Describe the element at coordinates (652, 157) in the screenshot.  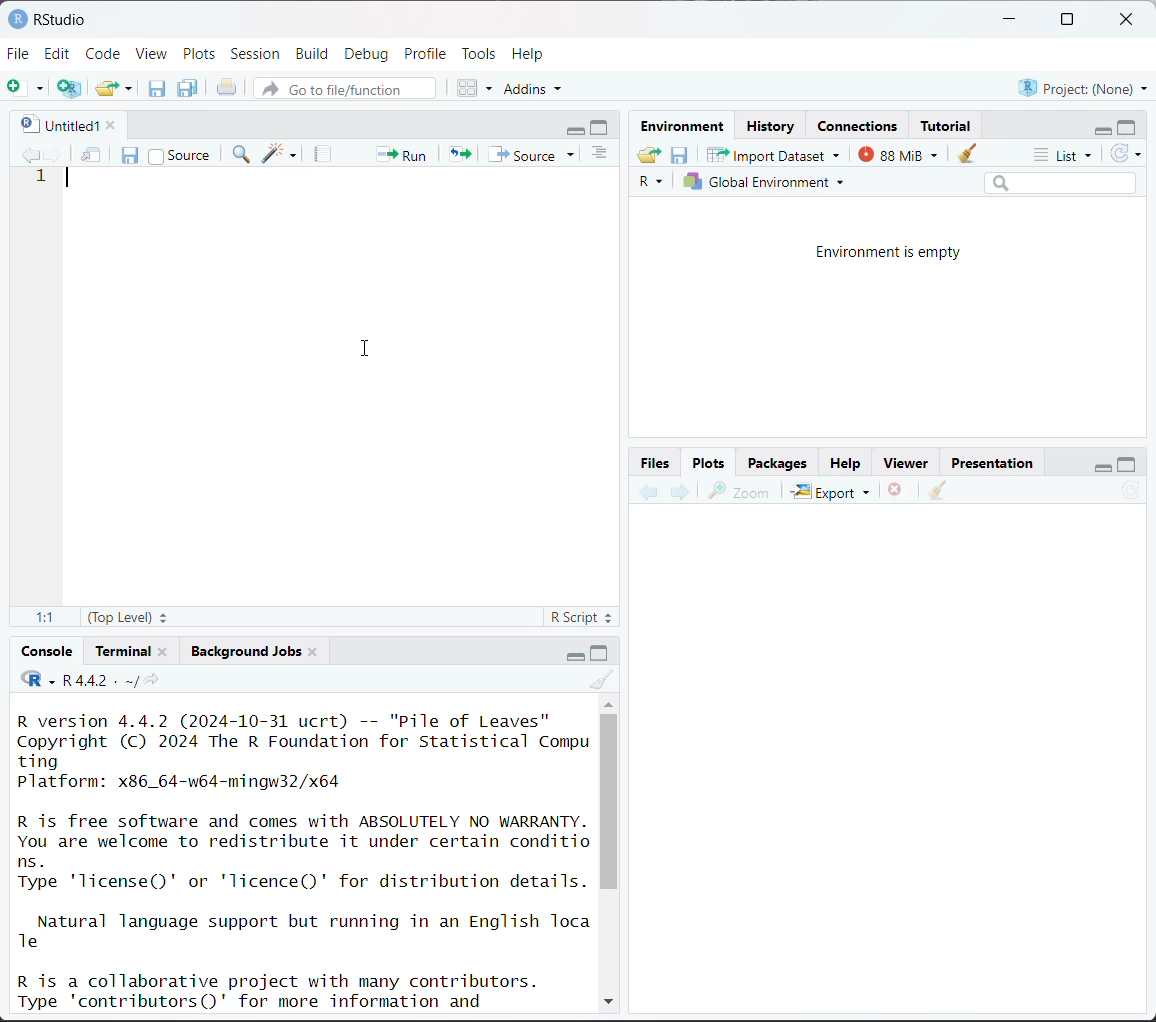
I see `load workspace` at that location.